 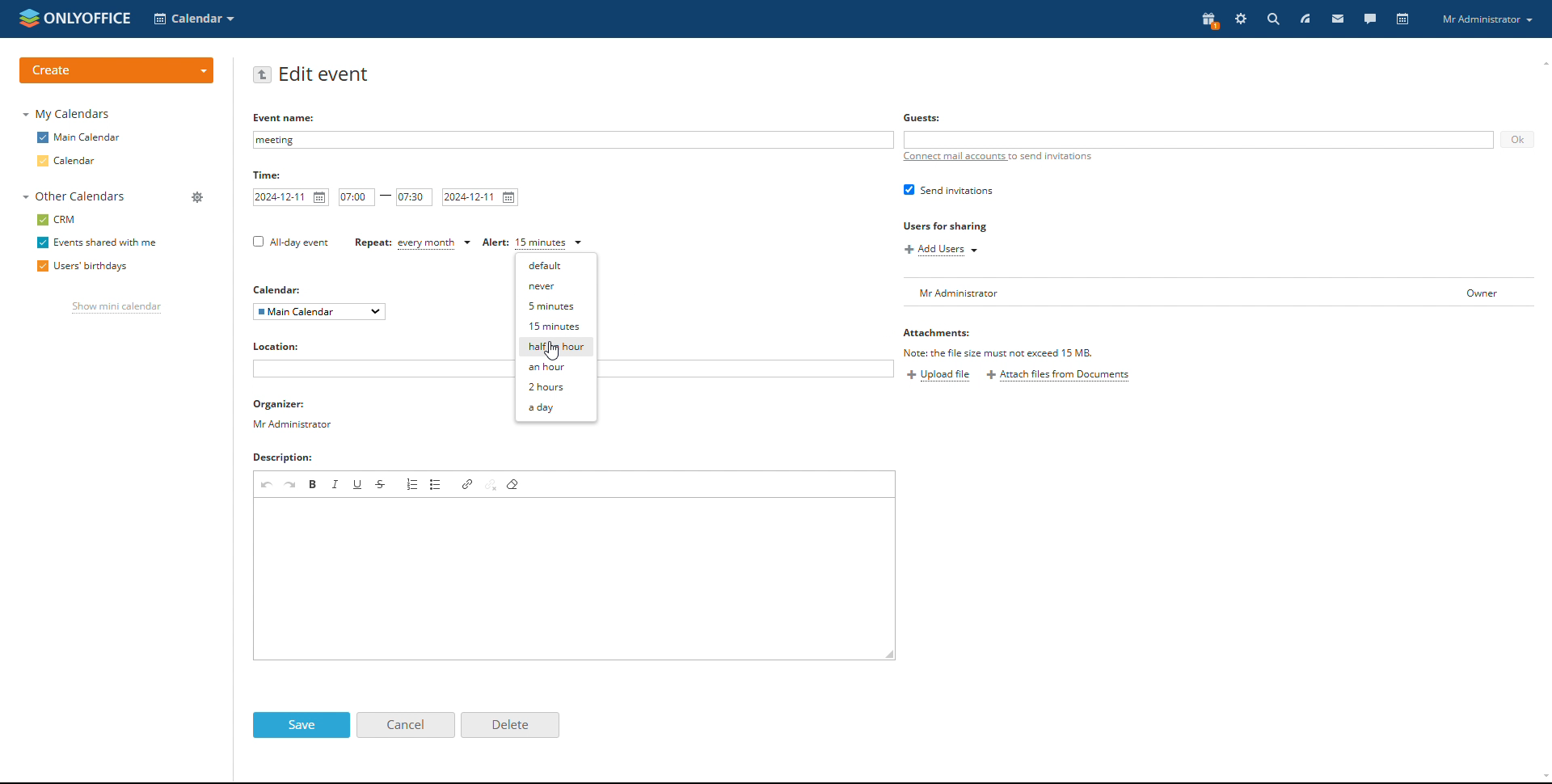 I want to click on manage, so click(x=198, y=196).